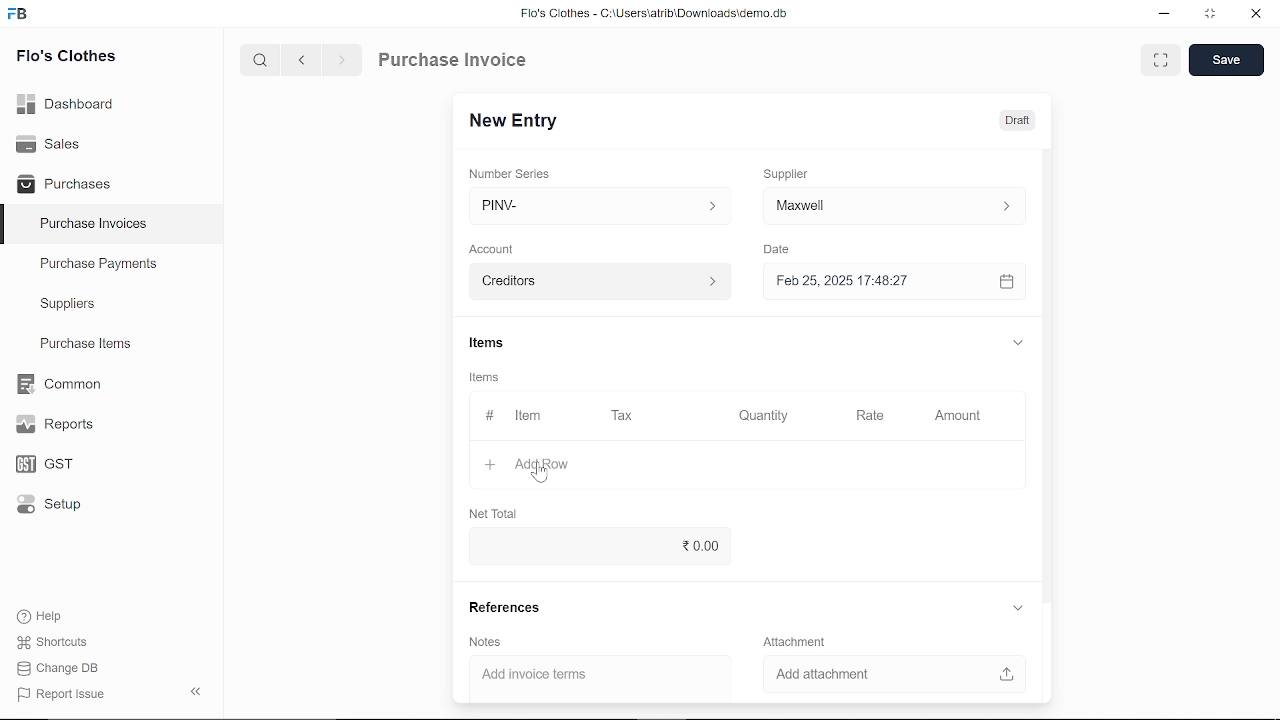 This screenshot has width=1280, height=720. Describe the element at coordinates (956, 414) in the screenshot. I see `Amount` at that location.